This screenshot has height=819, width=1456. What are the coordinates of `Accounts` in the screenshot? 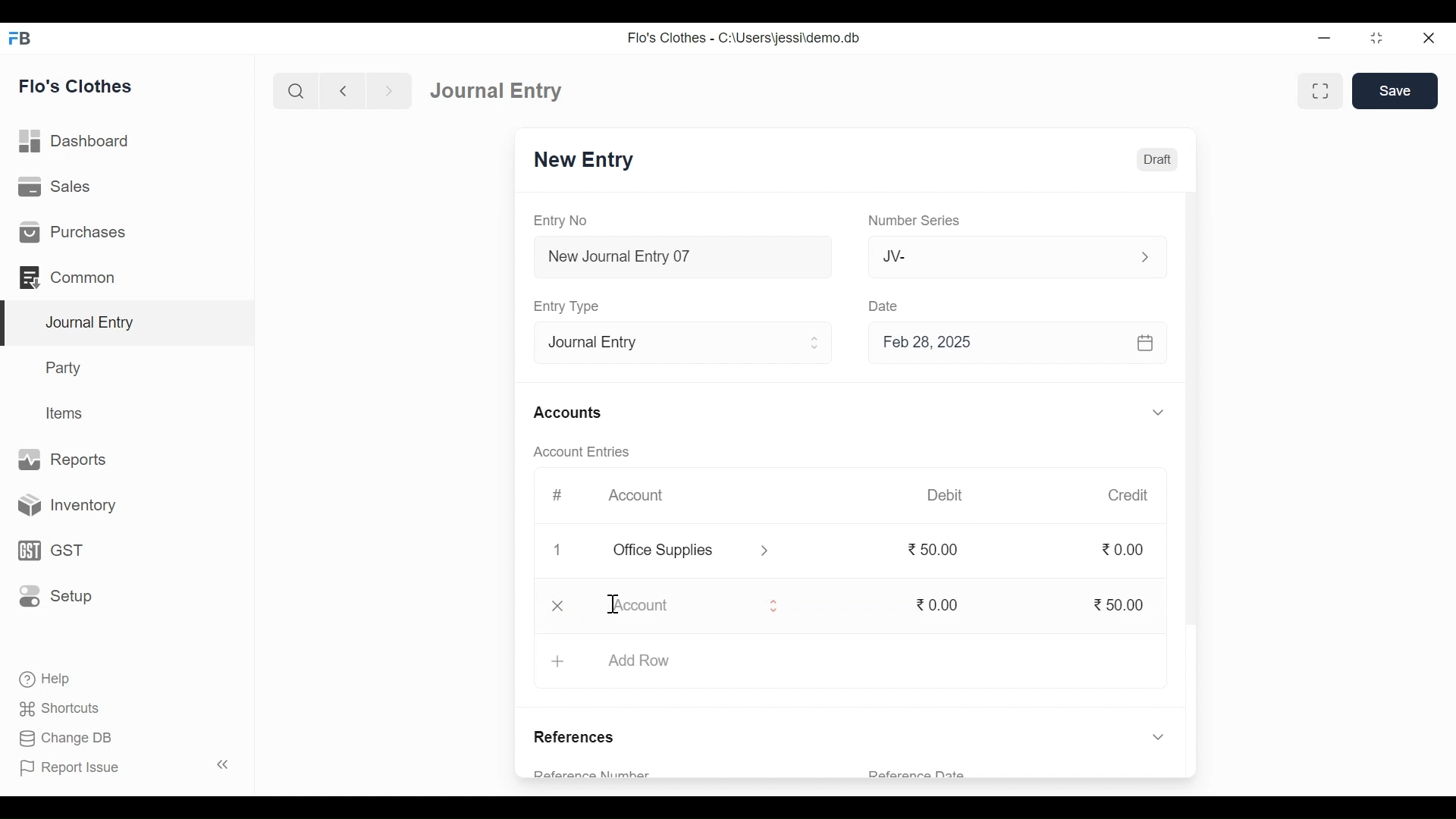 It's located at (567, 413).